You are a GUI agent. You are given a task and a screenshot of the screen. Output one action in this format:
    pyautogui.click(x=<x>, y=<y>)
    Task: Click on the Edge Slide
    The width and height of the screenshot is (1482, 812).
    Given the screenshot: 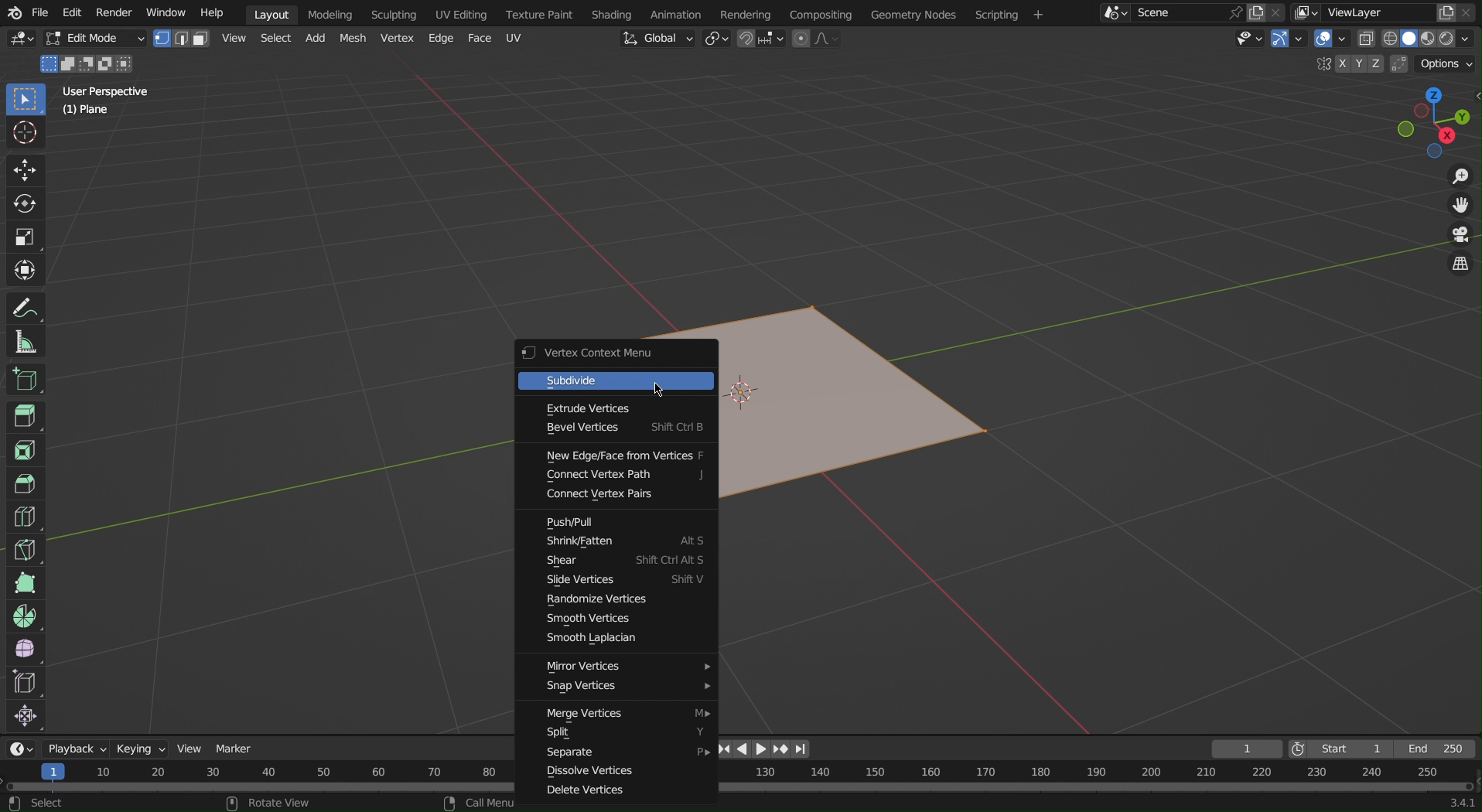 What is the action you would take?
    pyautogui.click(x=25, y=684)
    